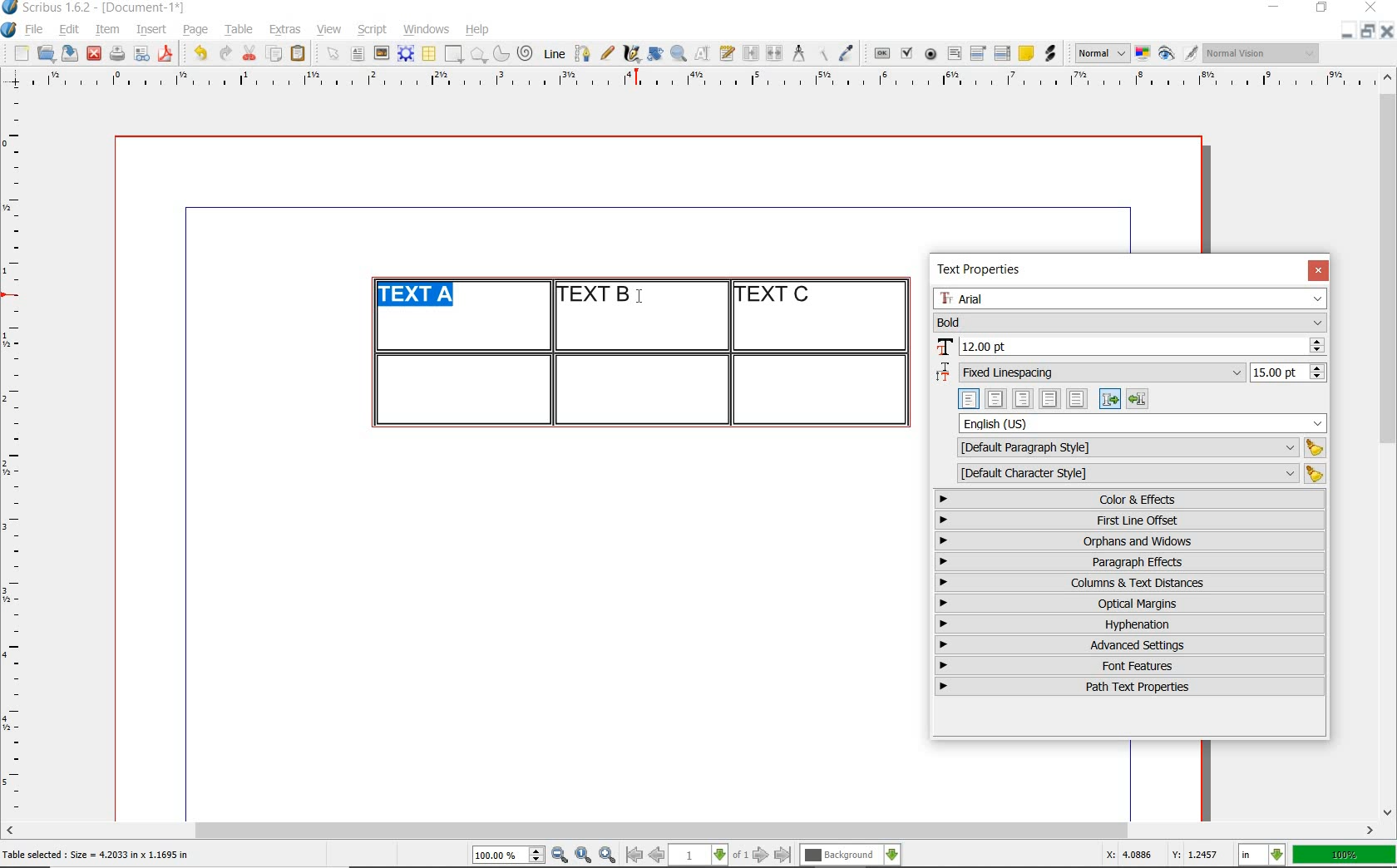  What do you see at coordinates (1130, 298) in the screenshot?
I see `font family` at bounding box center [1130, 298].